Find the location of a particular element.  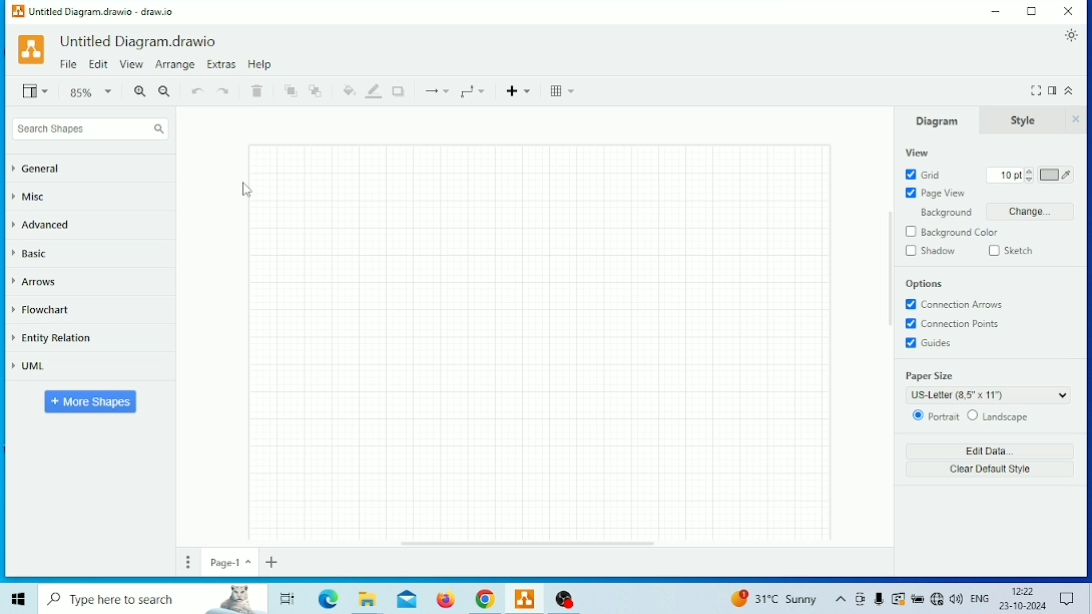

Speakers is located at coordinates (956, 598).